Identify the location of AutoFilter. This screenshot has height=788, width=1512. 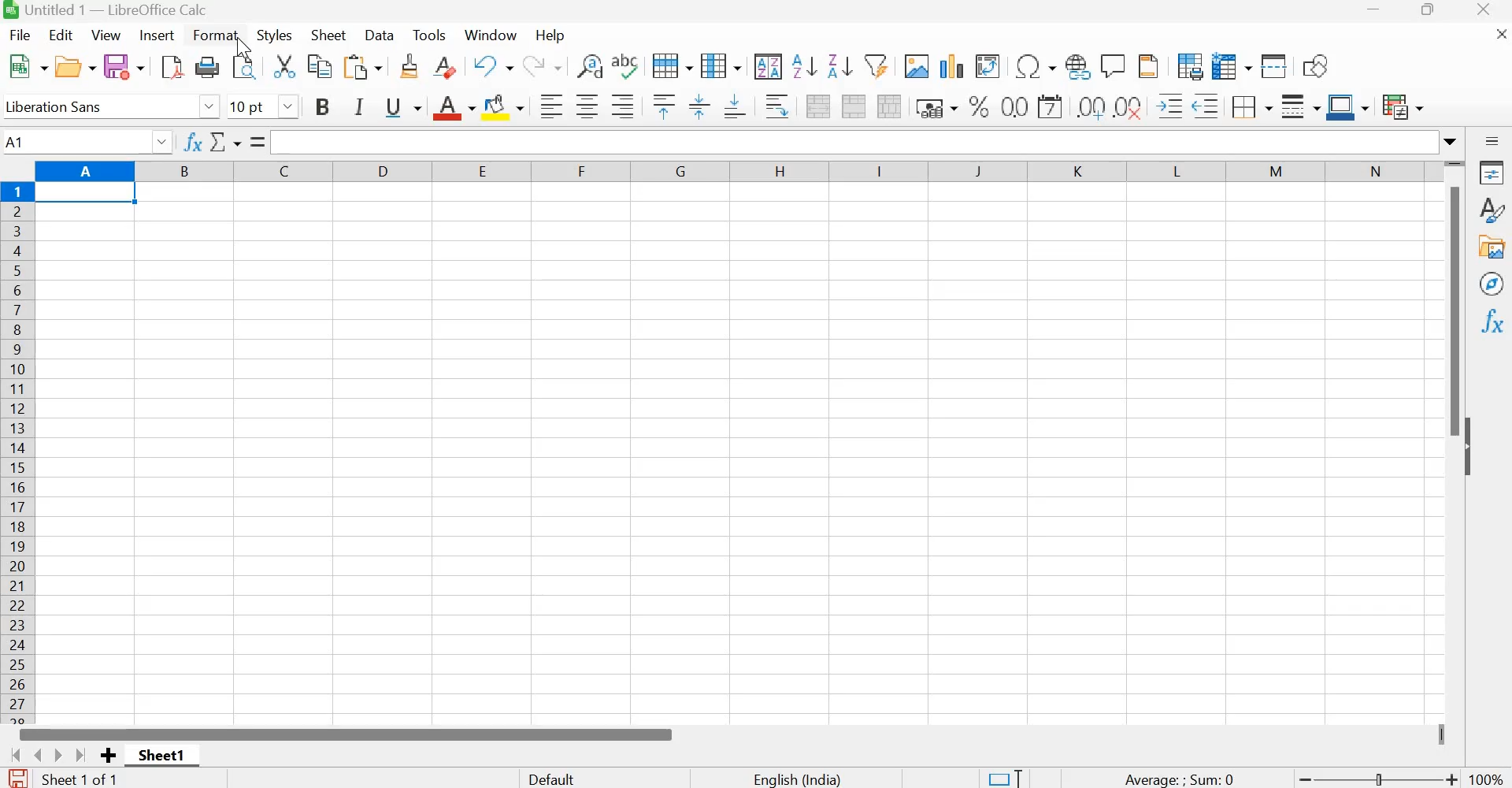
(875, 64).